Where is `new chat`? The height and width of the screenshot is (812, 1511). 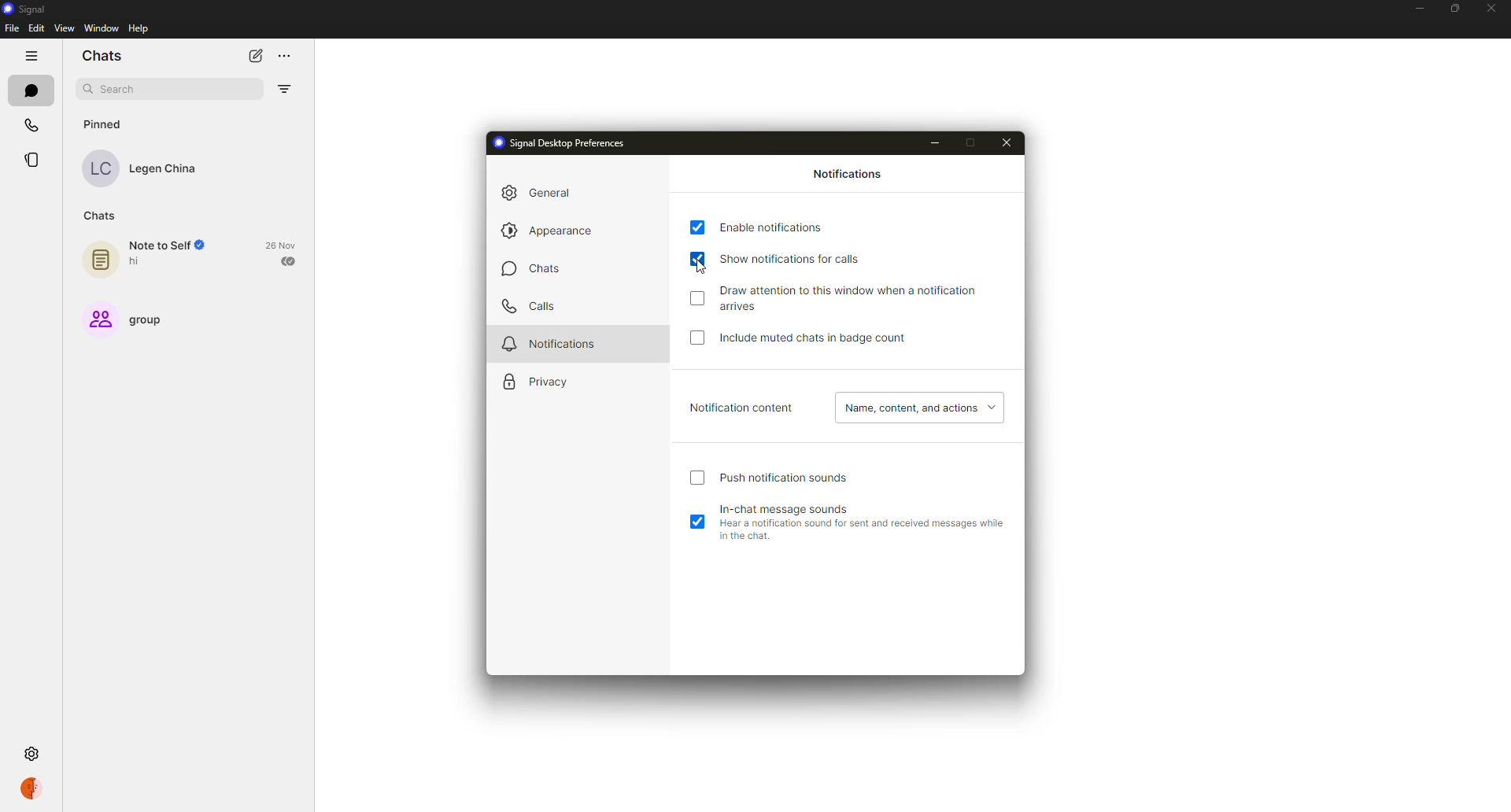
new chat is located at coordinates (253, 55).